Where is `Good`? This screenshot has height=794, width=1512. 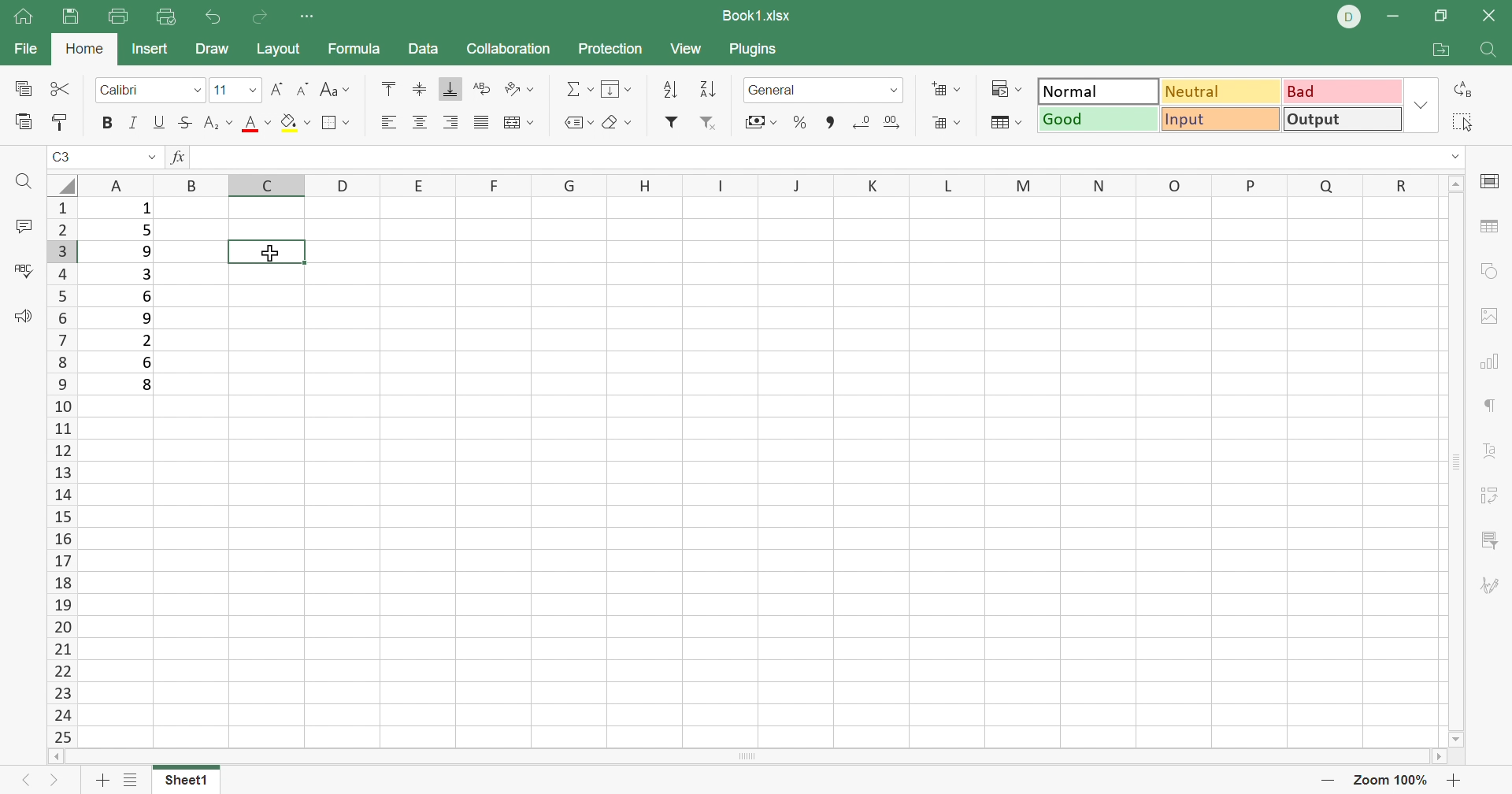
Good is located at coordinates (1099, 119).